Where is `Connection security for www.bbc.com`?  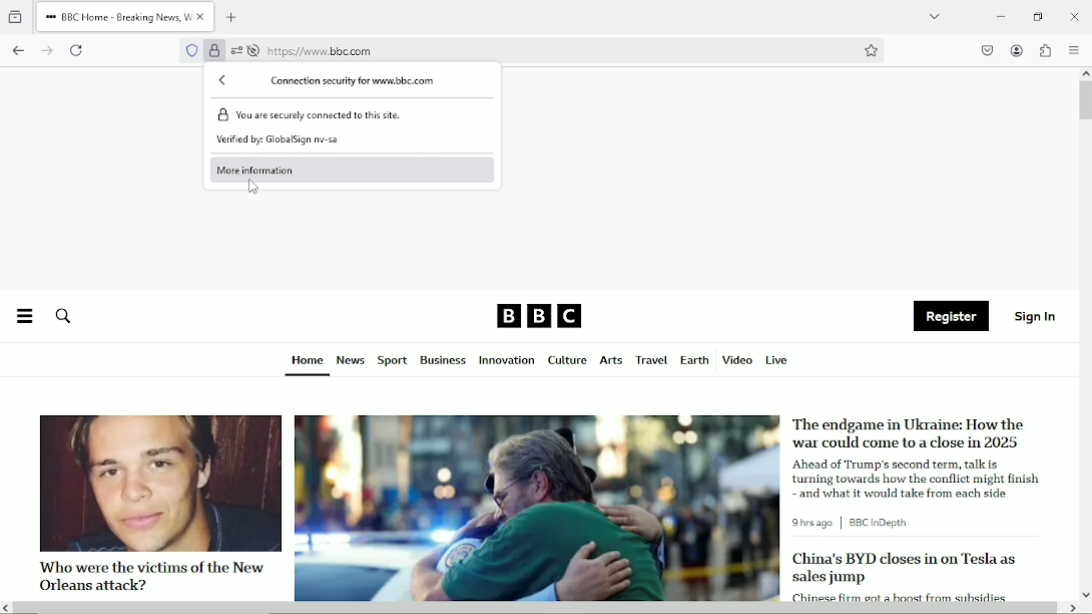
Connection security for www.bbc.com is located at coordinates (355, 80).